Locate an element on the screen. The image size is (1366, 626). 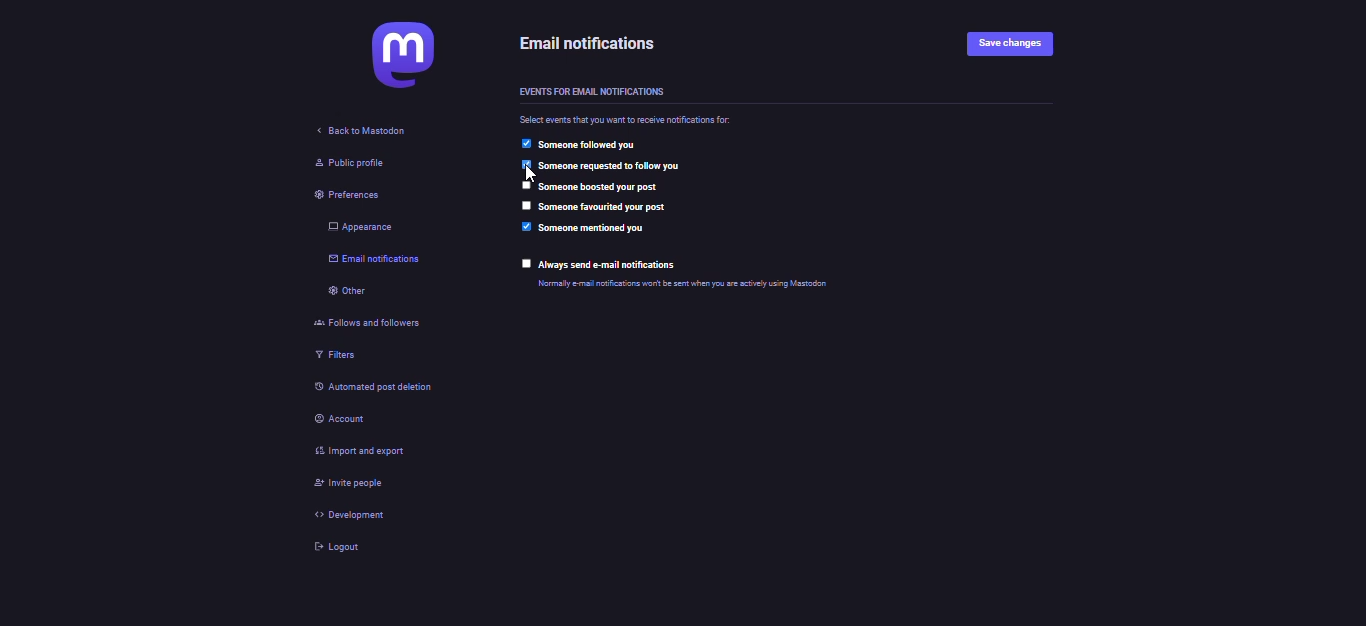
someone mentioned you is located at coordinates (597, 229).